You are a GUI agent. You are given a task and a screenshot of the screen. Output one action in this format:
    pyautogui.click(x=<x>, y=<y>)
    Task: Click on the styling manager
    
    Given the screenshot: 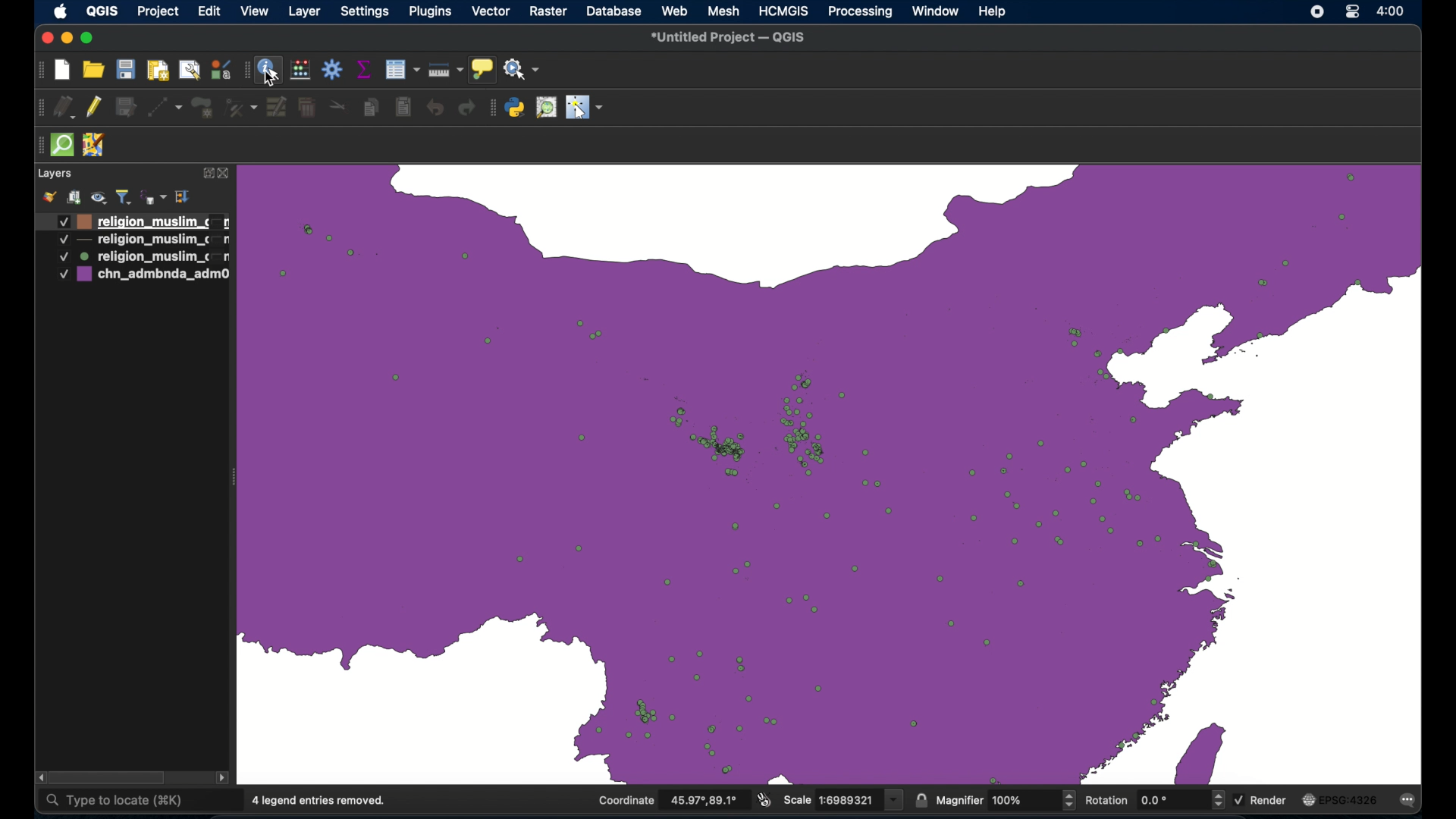 What is the action you would take?
    pyautogui.click(x=219, y=69)
    